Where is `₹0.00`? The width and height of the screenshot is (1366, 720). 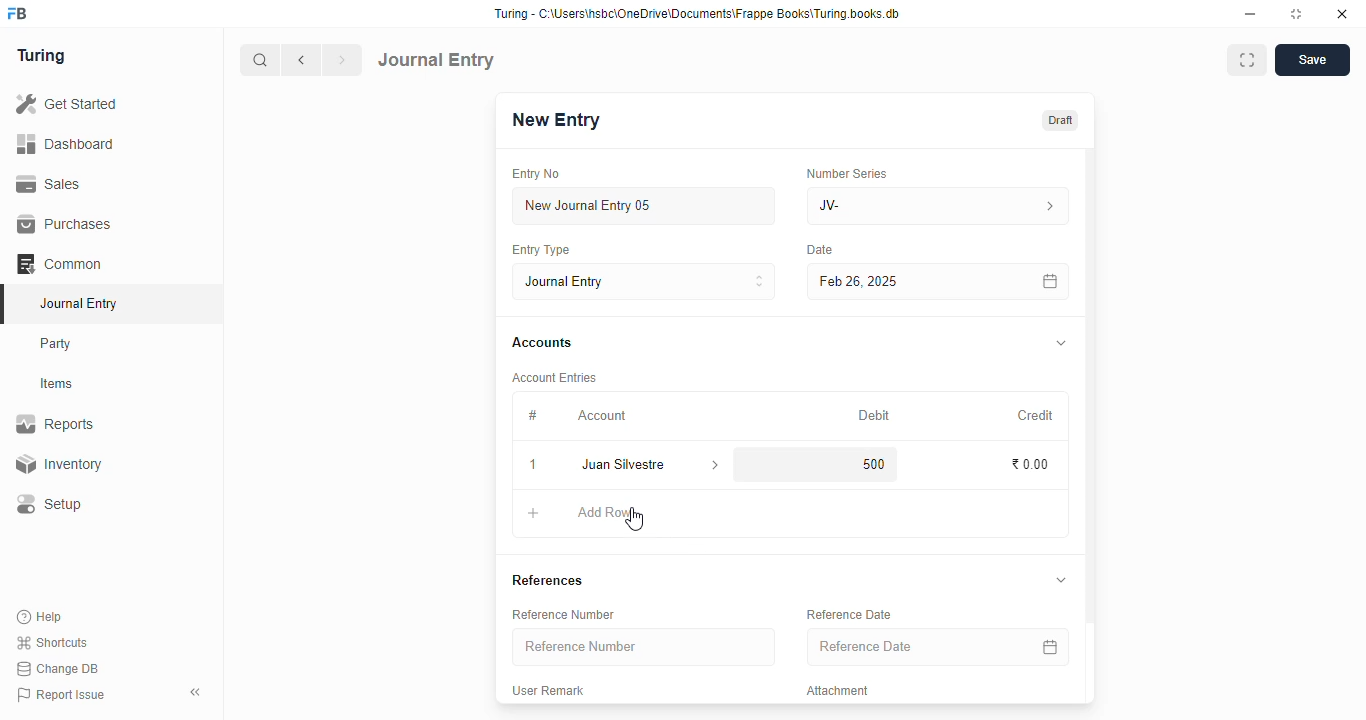
₹0.00 is located at coordinates (1031, 465).